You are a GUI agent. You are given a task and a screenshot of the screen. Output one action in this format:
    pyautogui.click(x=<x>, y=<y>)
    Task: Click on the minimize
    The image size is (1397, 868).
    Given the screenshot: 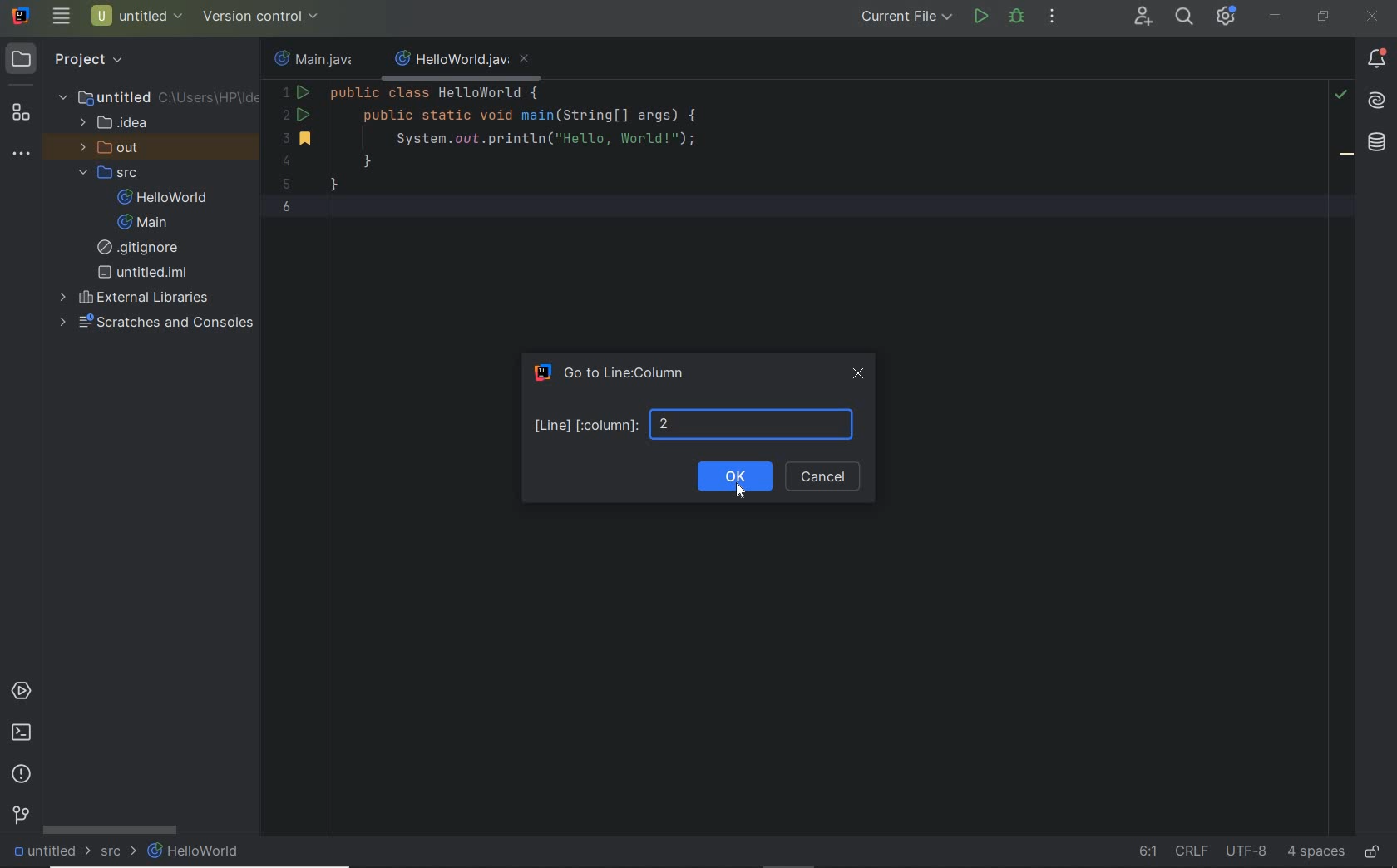 What is the action you would take?
    pyautogui.click(x=1276, y=16)
    